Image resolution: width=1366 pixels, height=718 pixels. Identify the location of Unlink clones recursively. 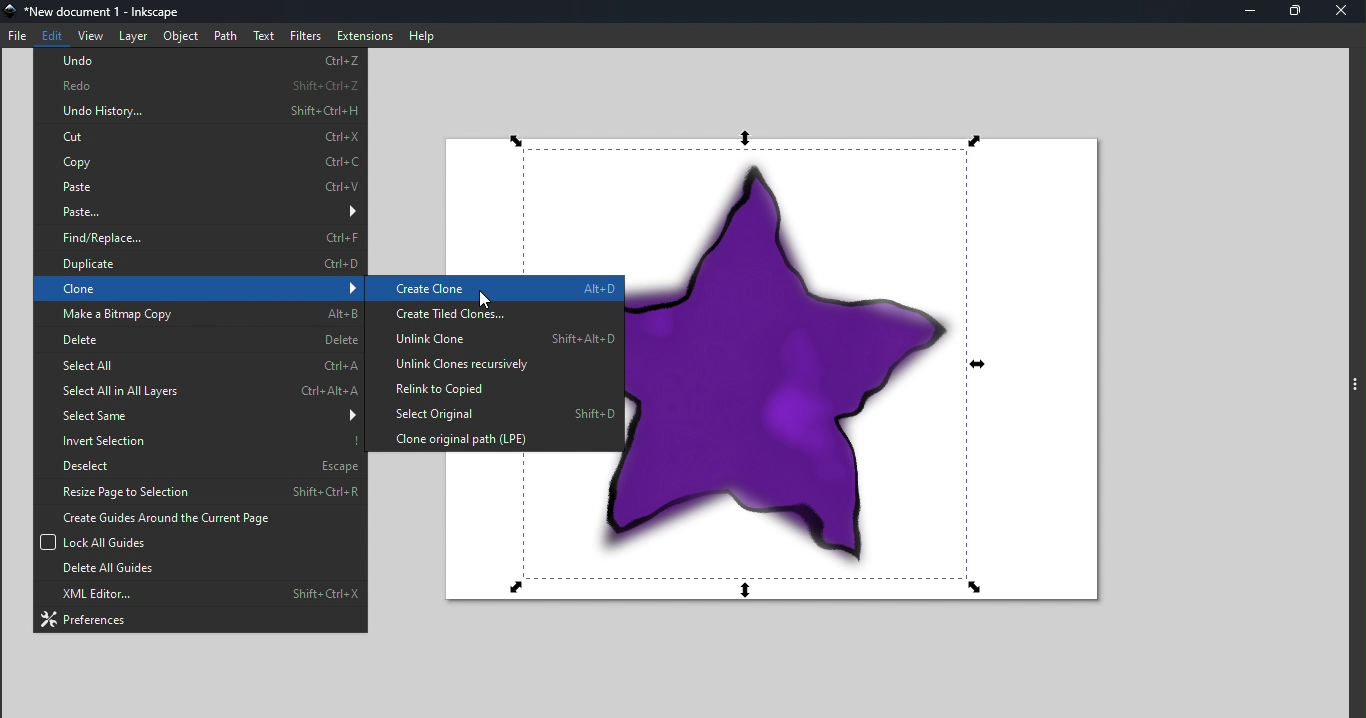
(493, 364).